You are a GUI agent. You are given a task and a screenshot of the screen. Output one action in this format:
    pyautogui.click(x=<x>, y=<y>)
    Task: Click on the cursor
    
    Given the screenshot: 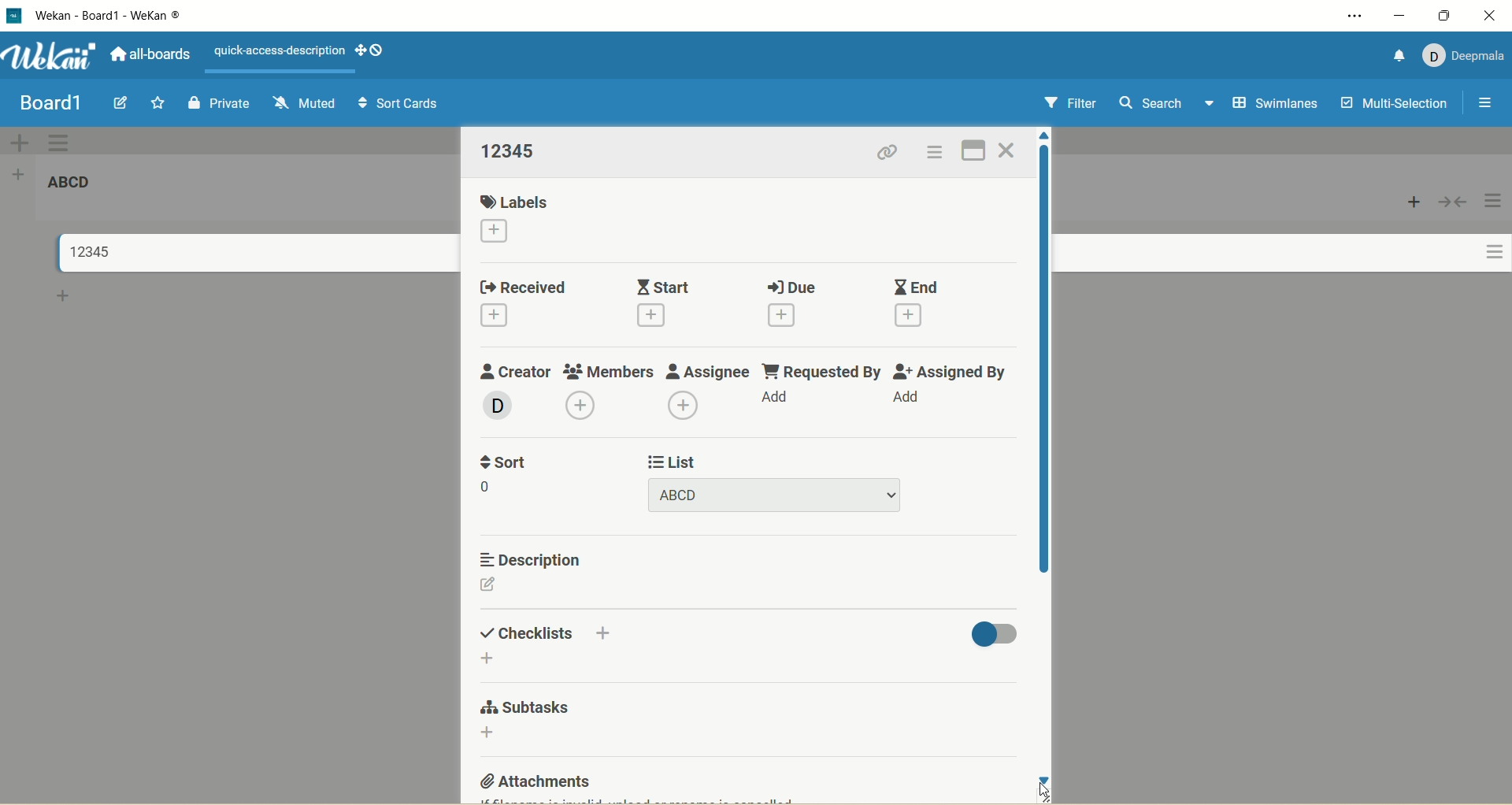 What is the action you would take?
    pyautogui.click(x=1050, y=793)
    